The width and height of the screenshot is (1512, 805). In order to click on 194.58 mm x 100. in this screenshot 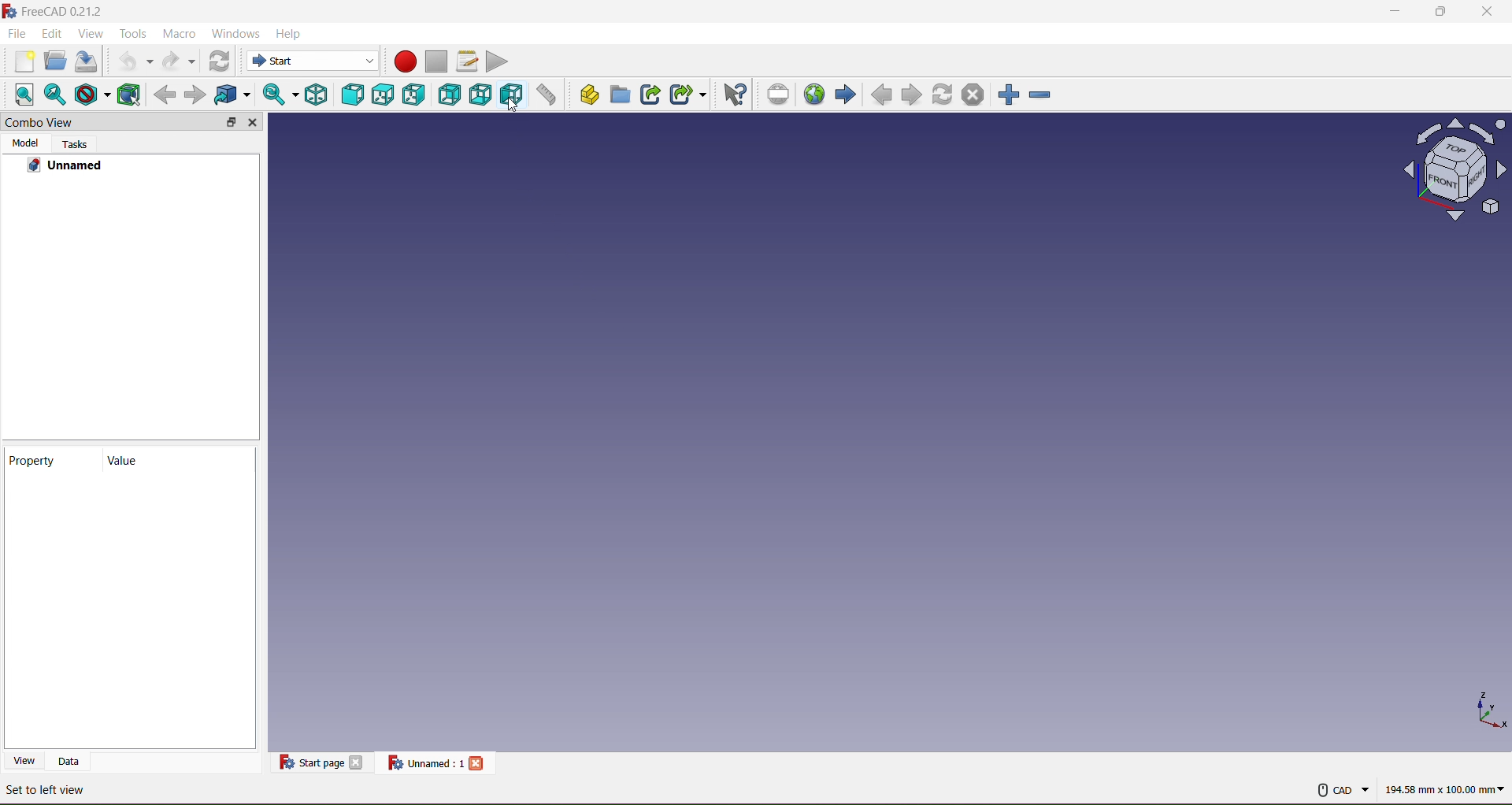, I will do `click(1447, 786)`.